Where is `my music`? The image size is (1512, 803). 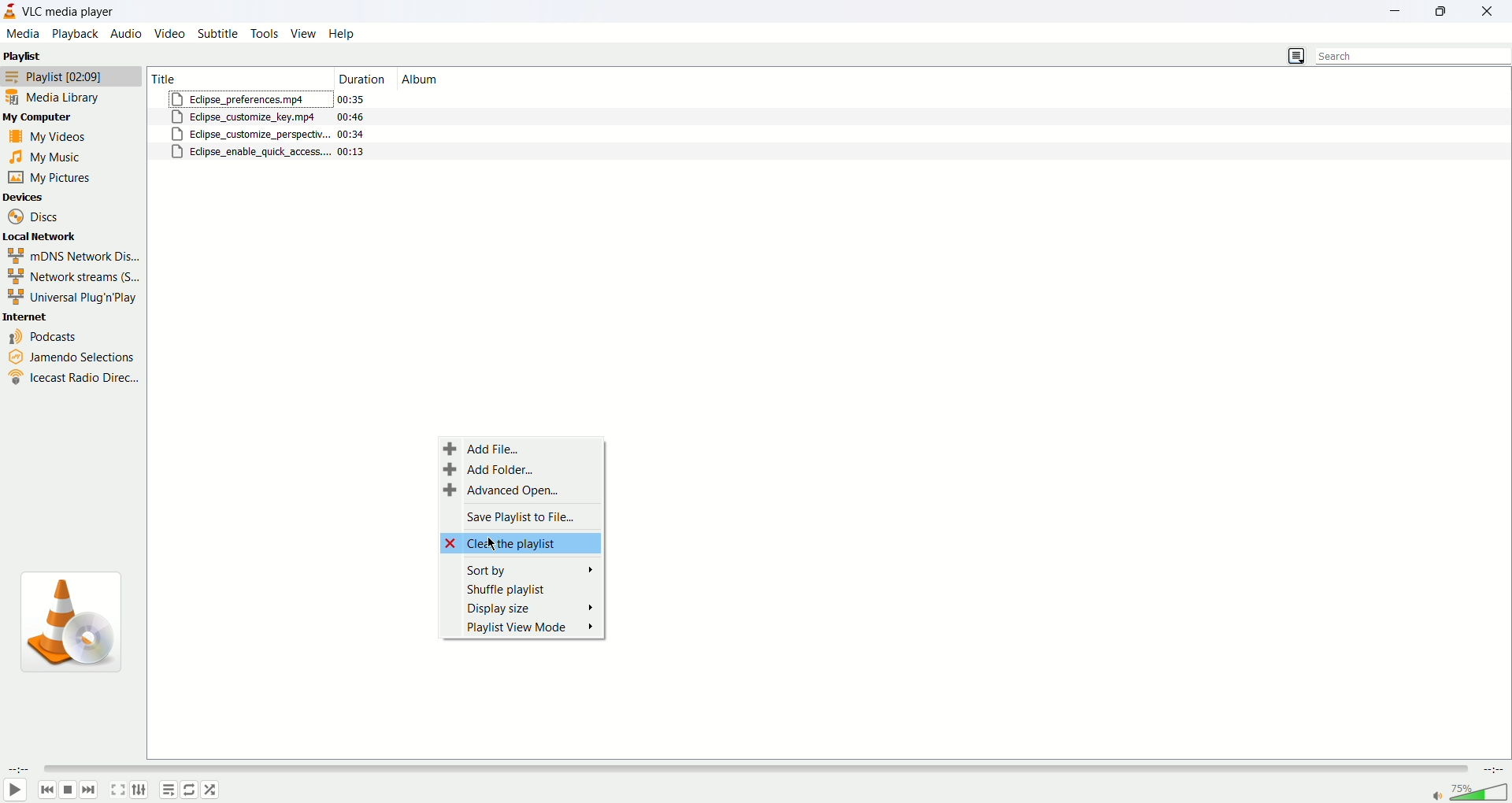
my music is located at coordinates (57, 160).